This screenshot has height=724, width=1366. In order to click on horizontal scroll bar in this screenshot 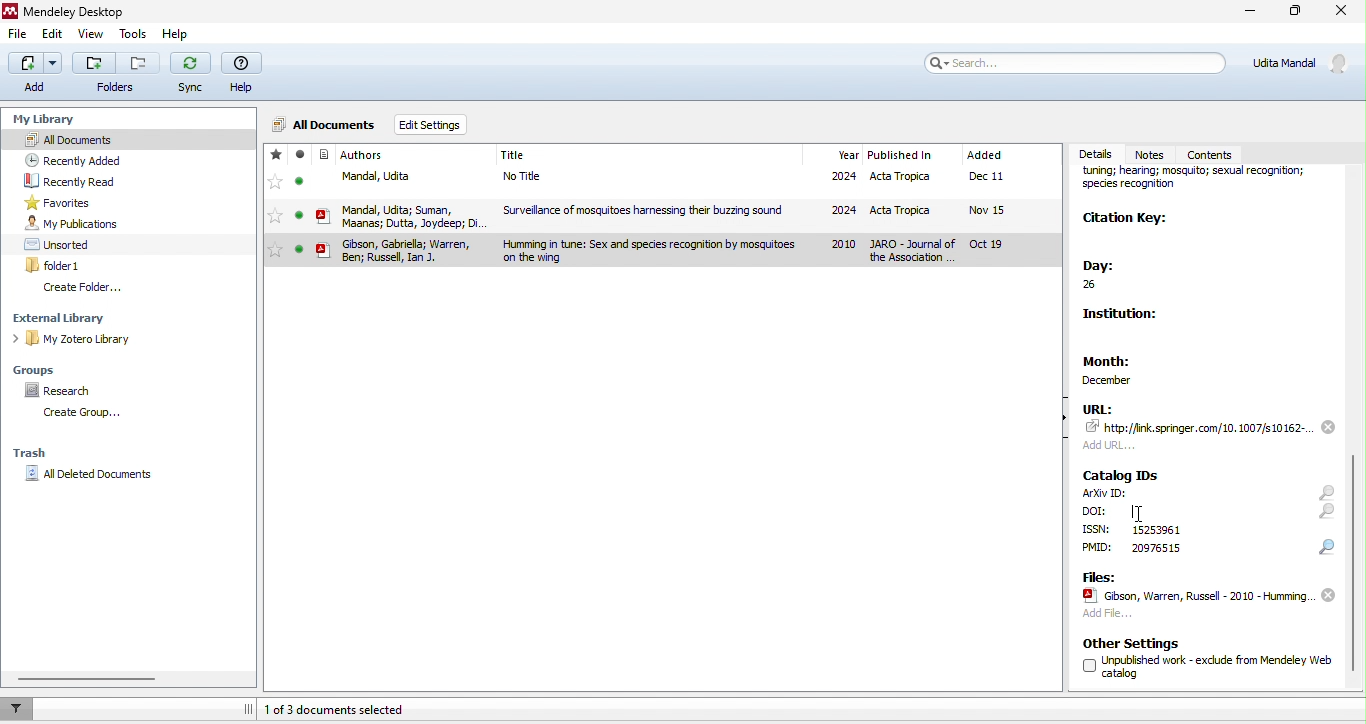, I will do `click(91, 679)`.